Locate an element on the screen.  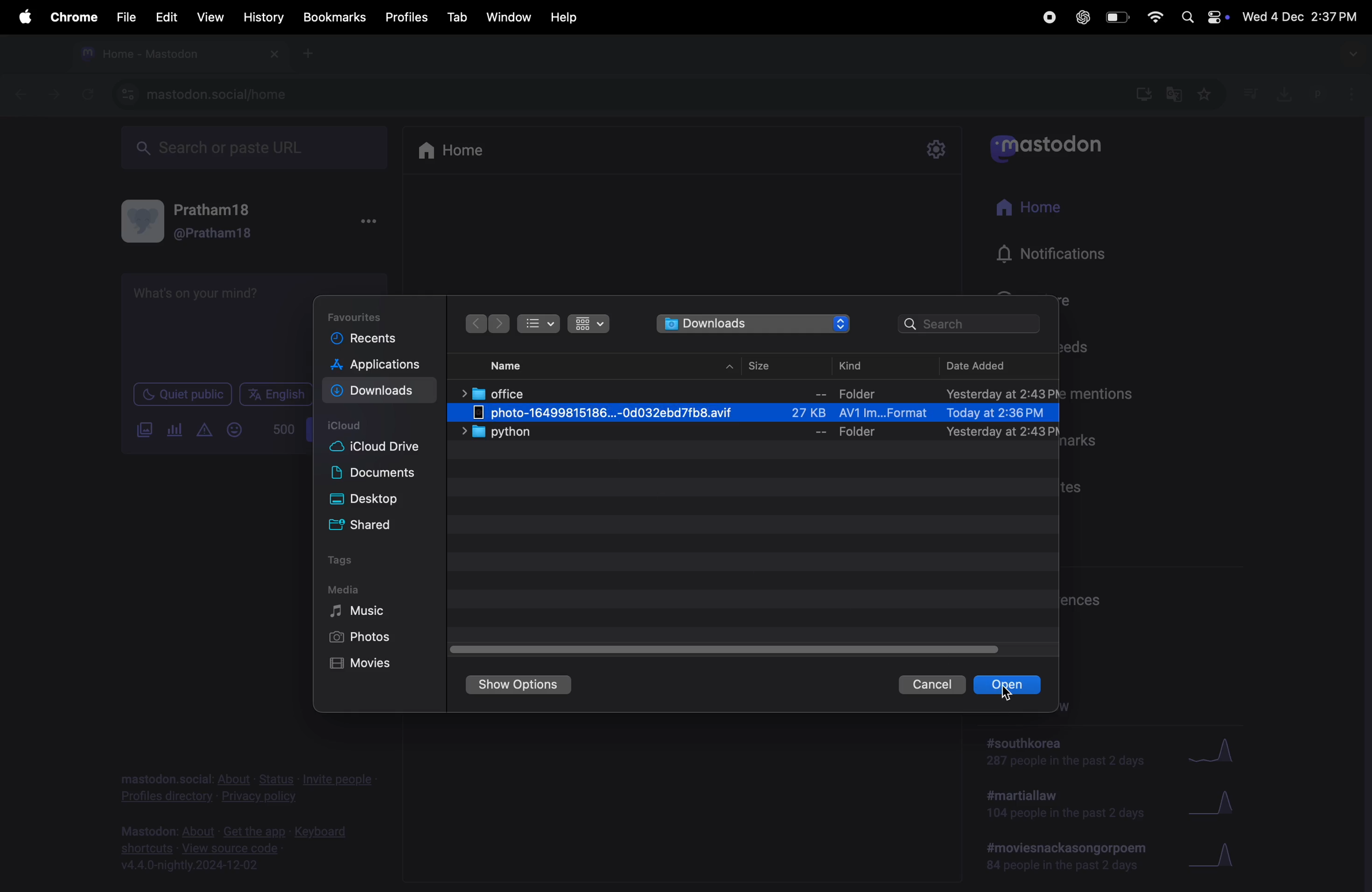
media is located at coordinates (344, 589).